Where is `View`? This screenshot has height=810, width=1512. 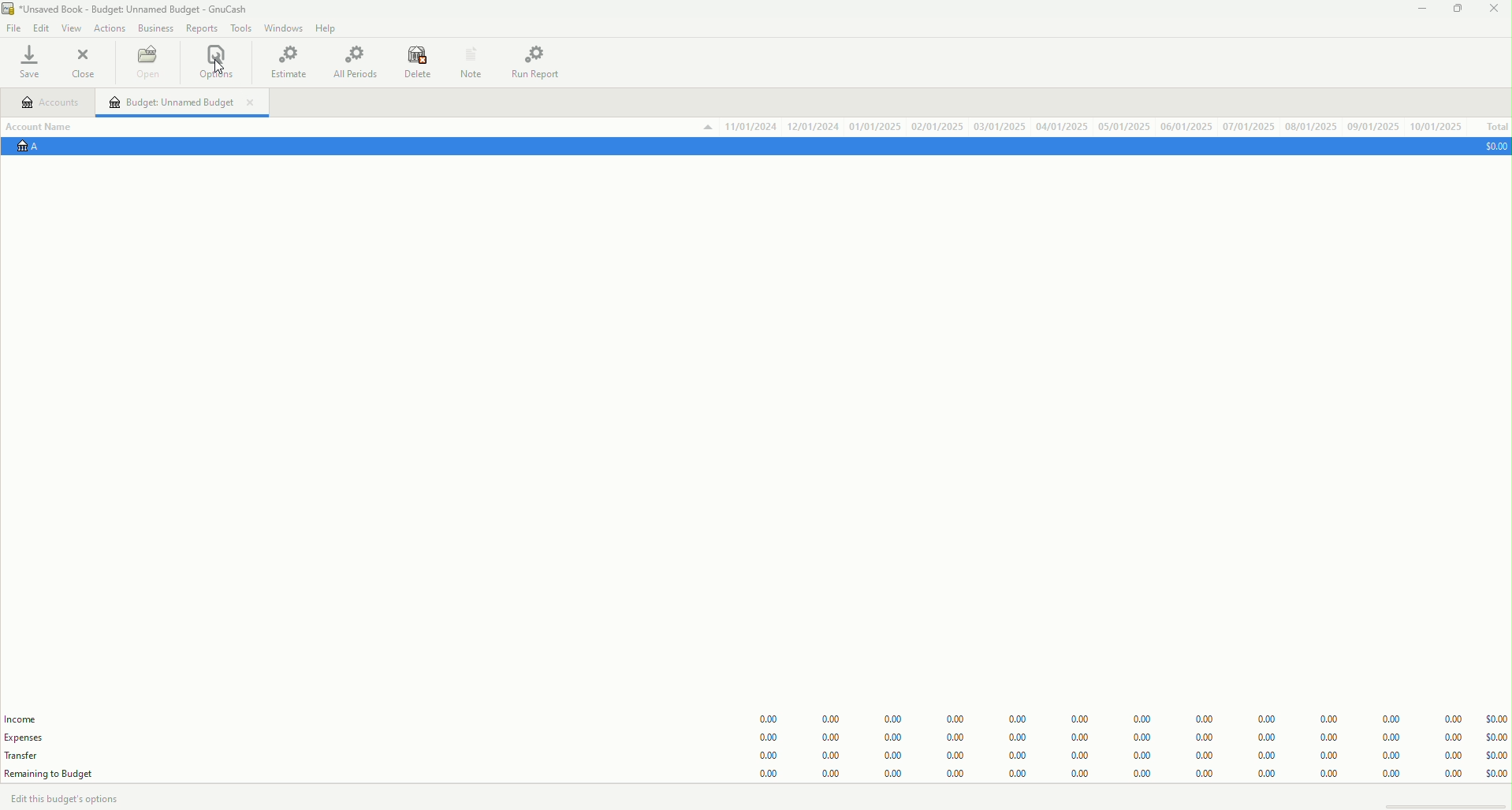
View is located at coordinates (70, 29).